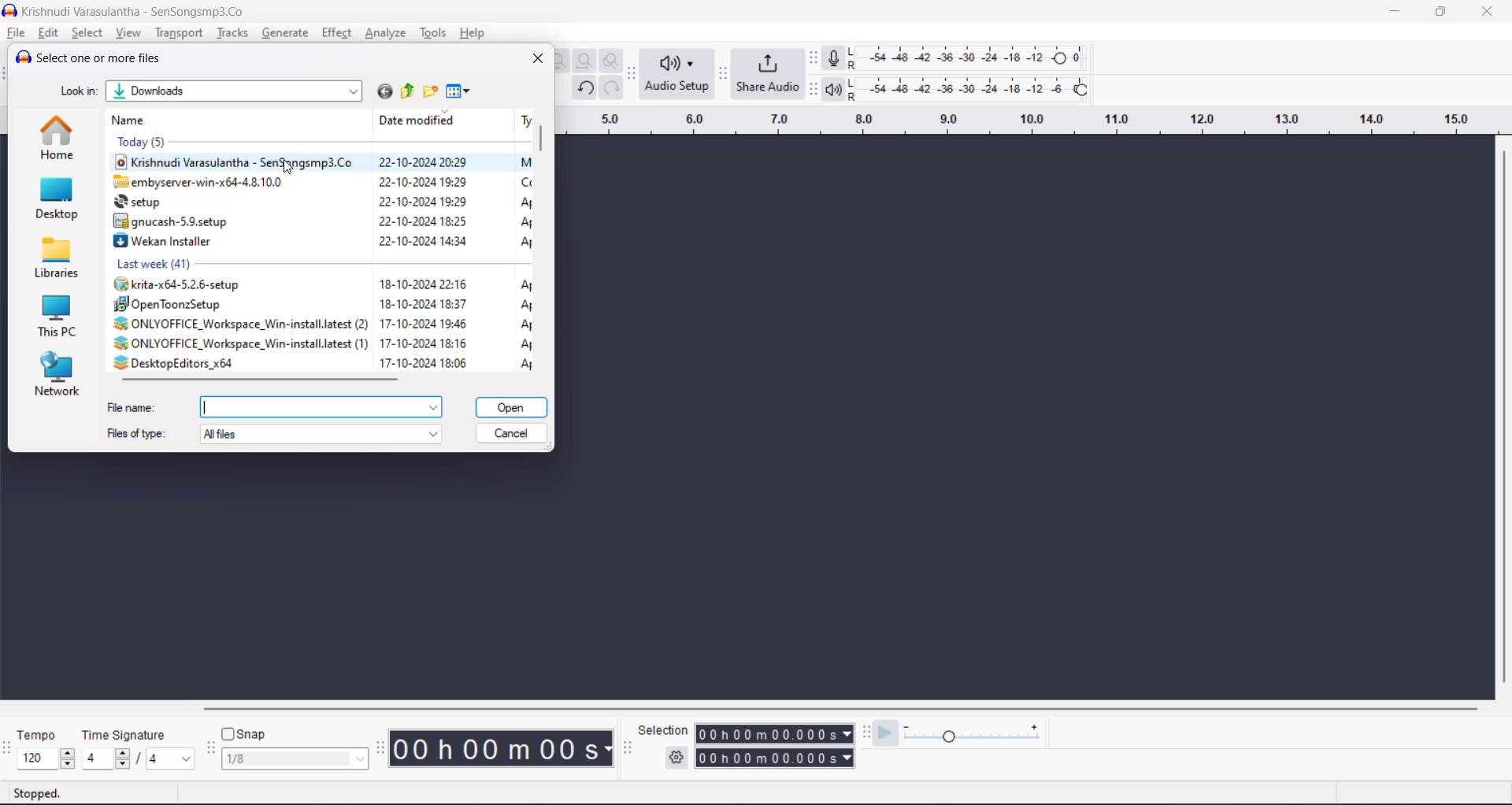  Describe the element at coordinates (839, 58) in the screenshot. I see `record meter` at that location.